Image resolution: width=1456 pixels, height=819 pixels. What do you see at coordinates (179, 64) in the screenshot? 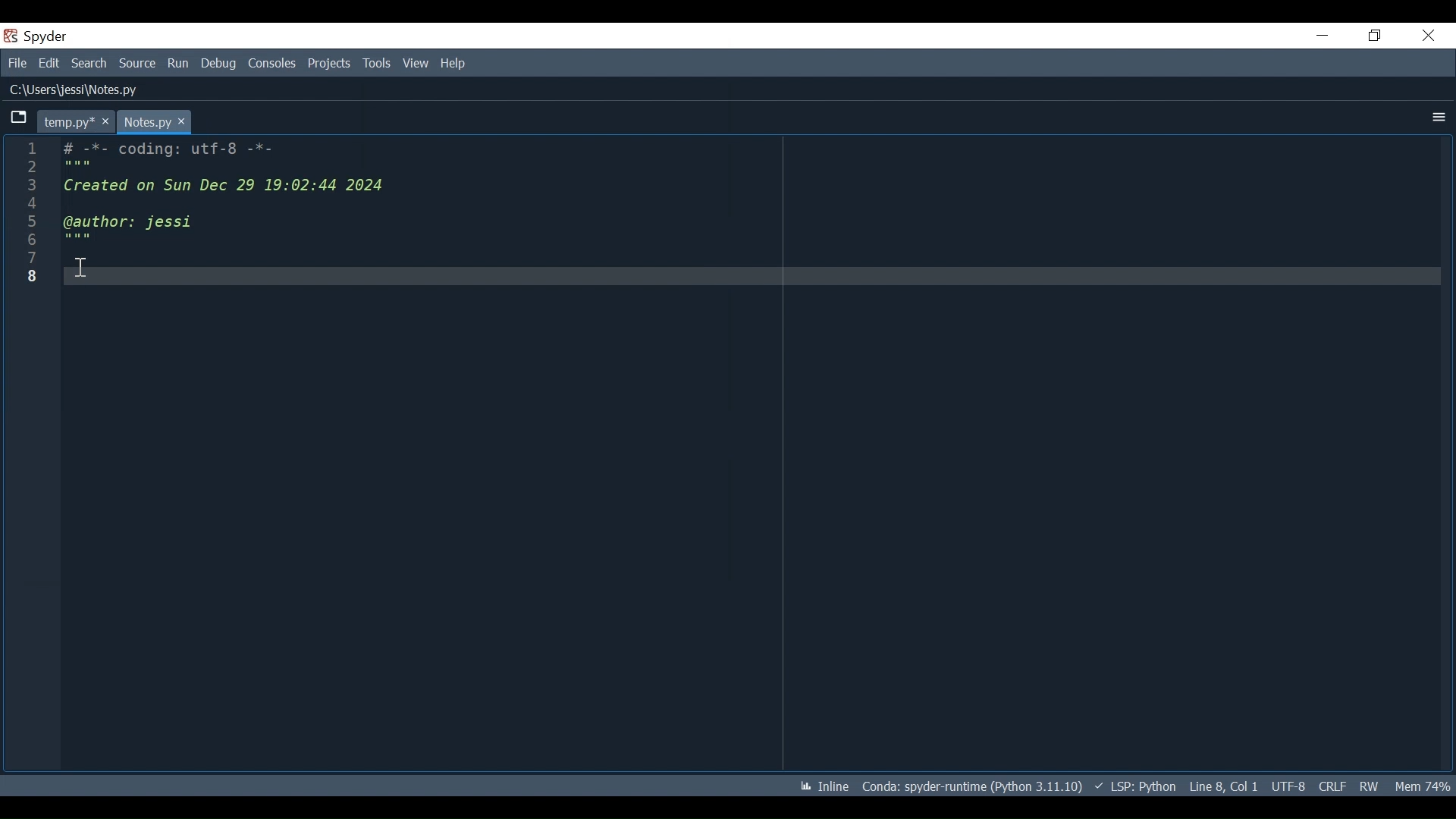
I see `Run` at bounding box center [179, 64].